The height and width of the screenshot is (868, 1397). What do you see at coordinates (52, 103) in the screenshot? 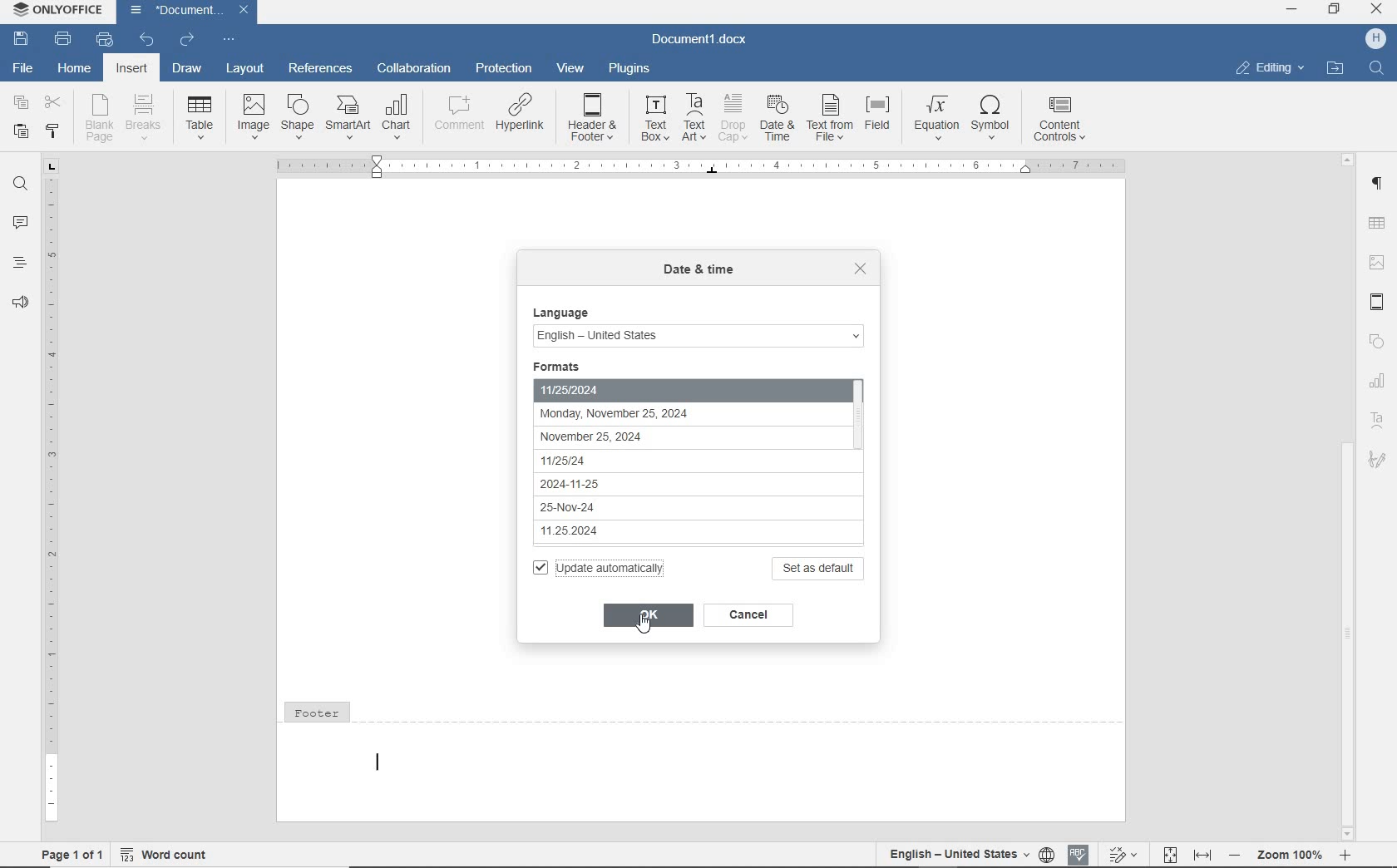
I see `cut` at bounding box center [52, 103].